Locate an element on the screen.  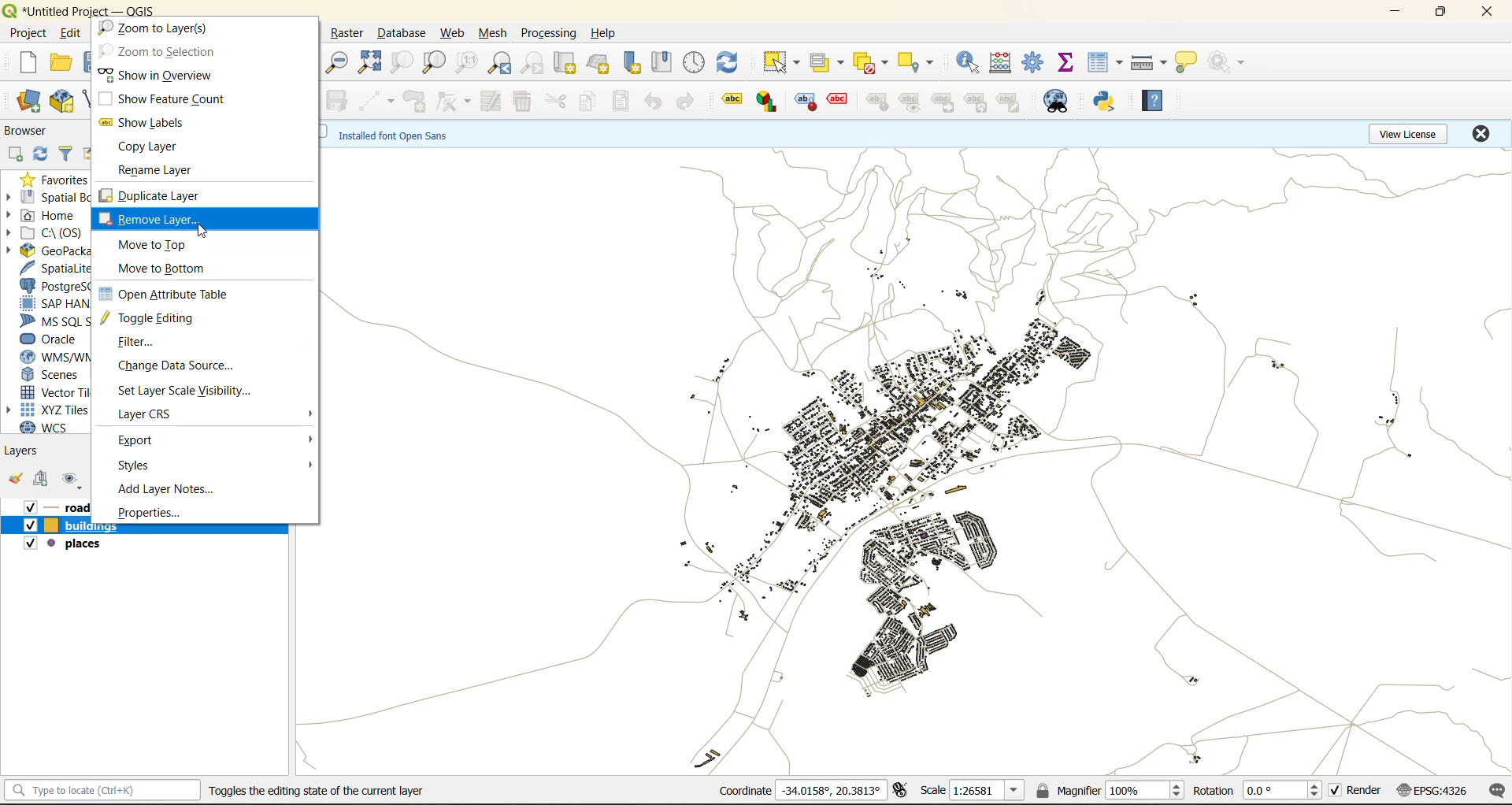
zoom last is located at coordinates (498, 63).